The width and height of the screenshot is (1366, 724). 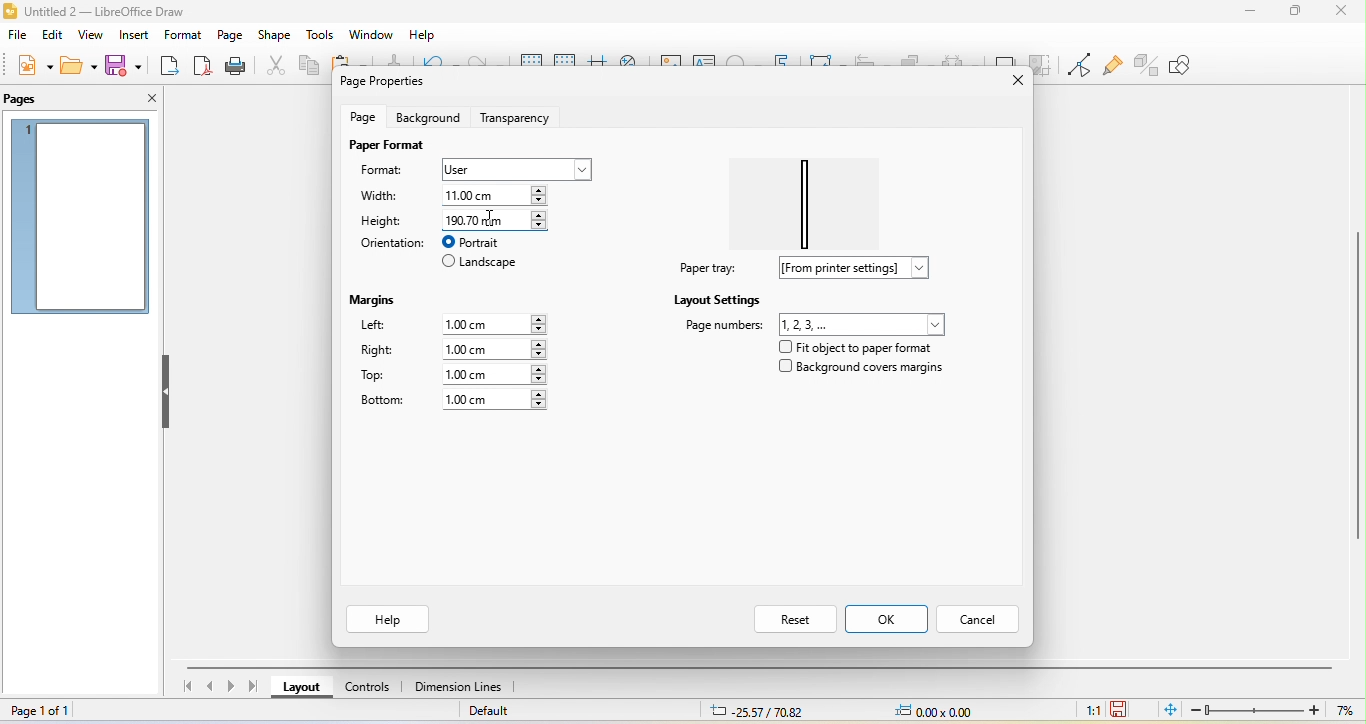 I want to click on cancel, so click(x=981, y=617).